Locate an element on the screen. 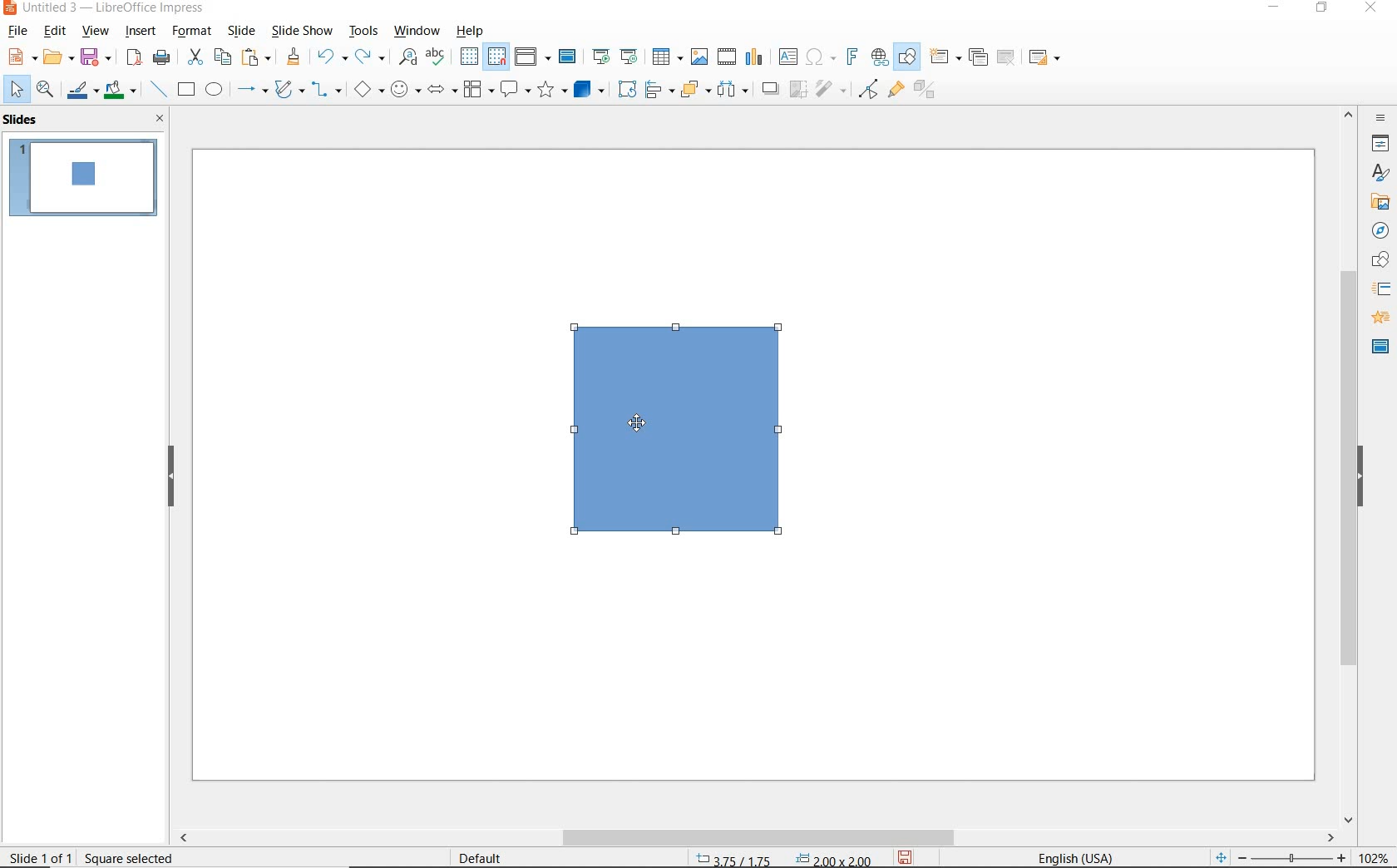  crop image is located at coordinates (799, 91).